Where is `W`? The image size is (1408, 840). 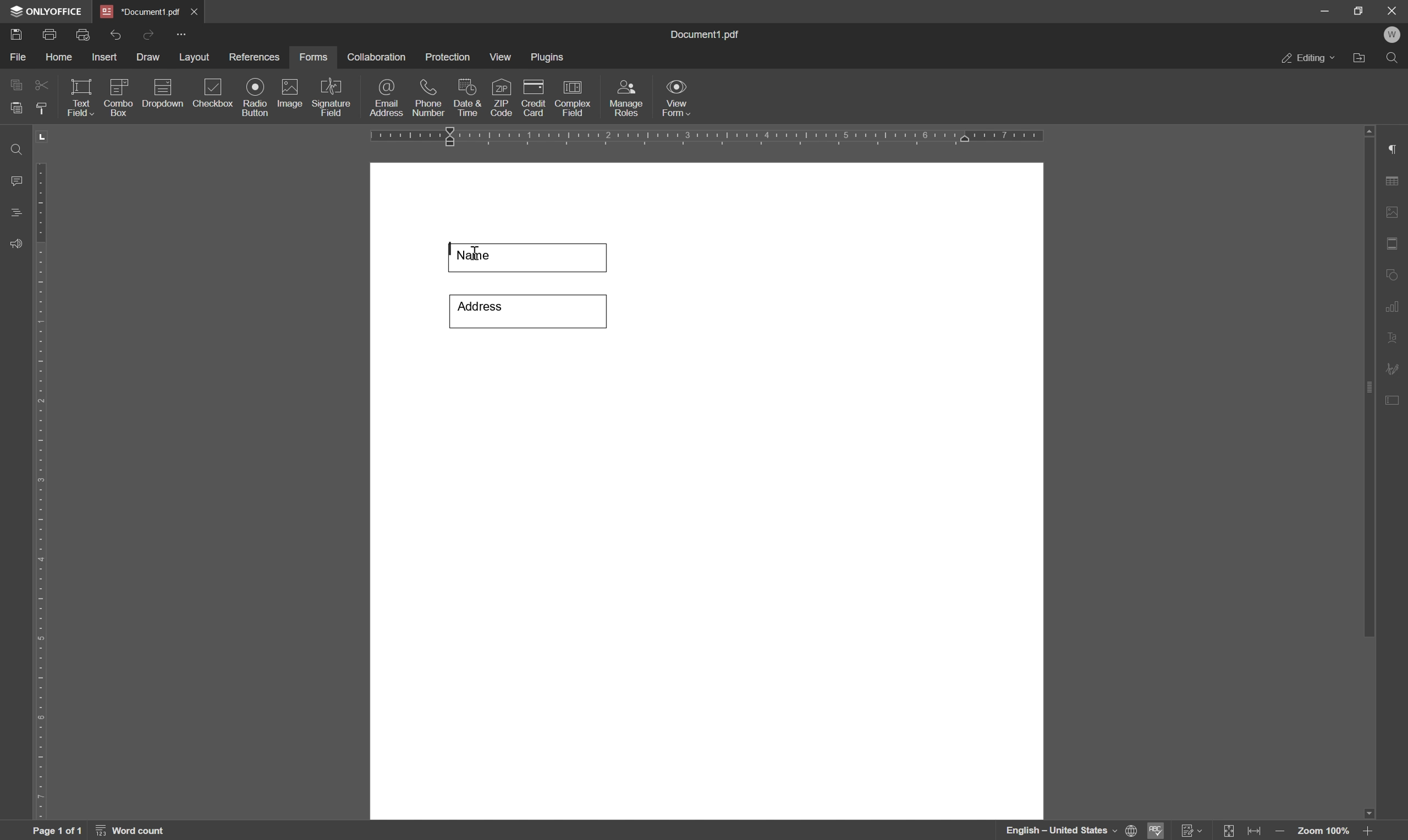 W is located at coordinates (1394, 35).